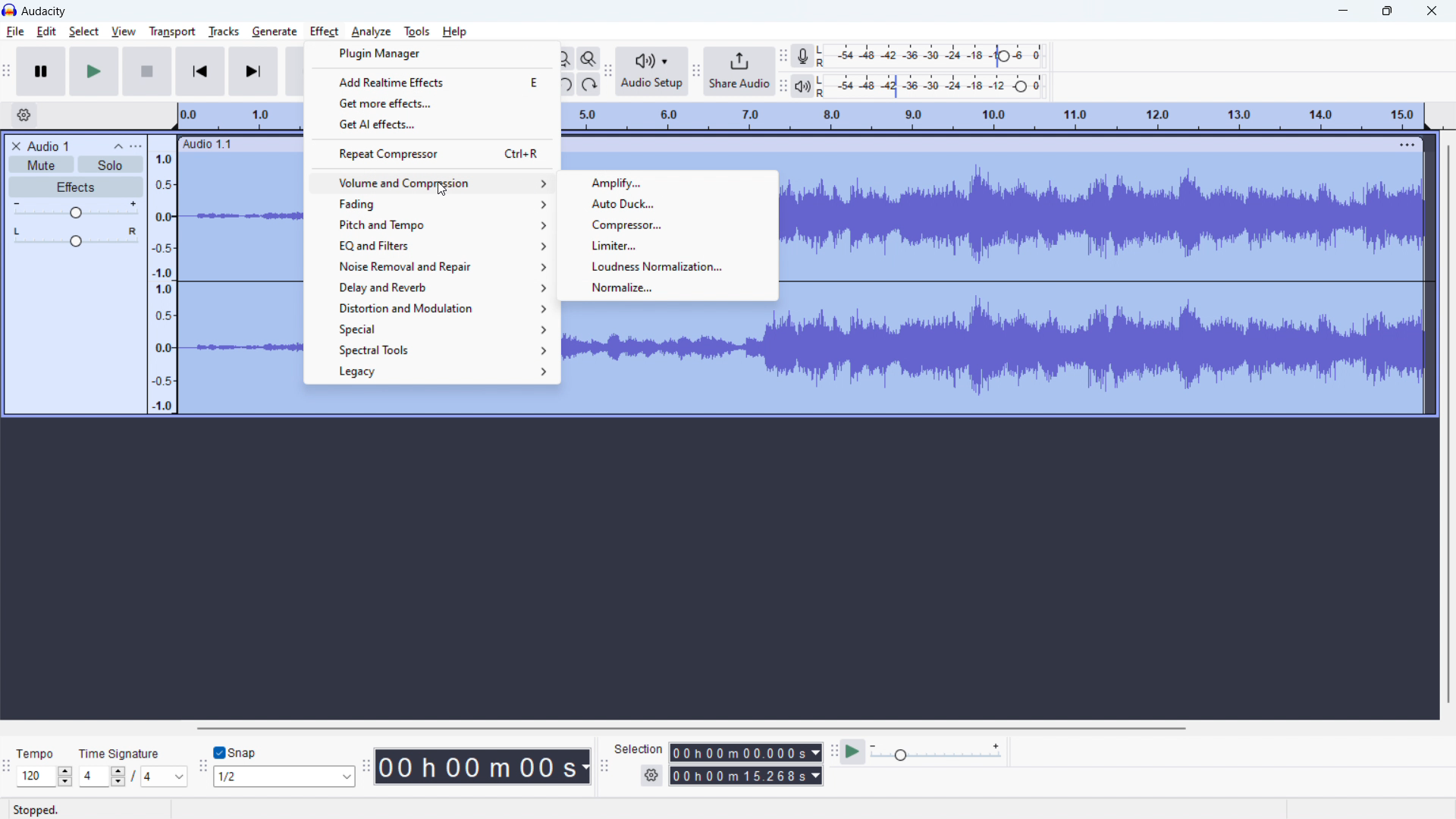 The height and width of the screenshot is (819, 1456). What do you see at coordinates (429, 224) in the screenshot?
I see `pitch and tempo` at bounding box center [429, 224].